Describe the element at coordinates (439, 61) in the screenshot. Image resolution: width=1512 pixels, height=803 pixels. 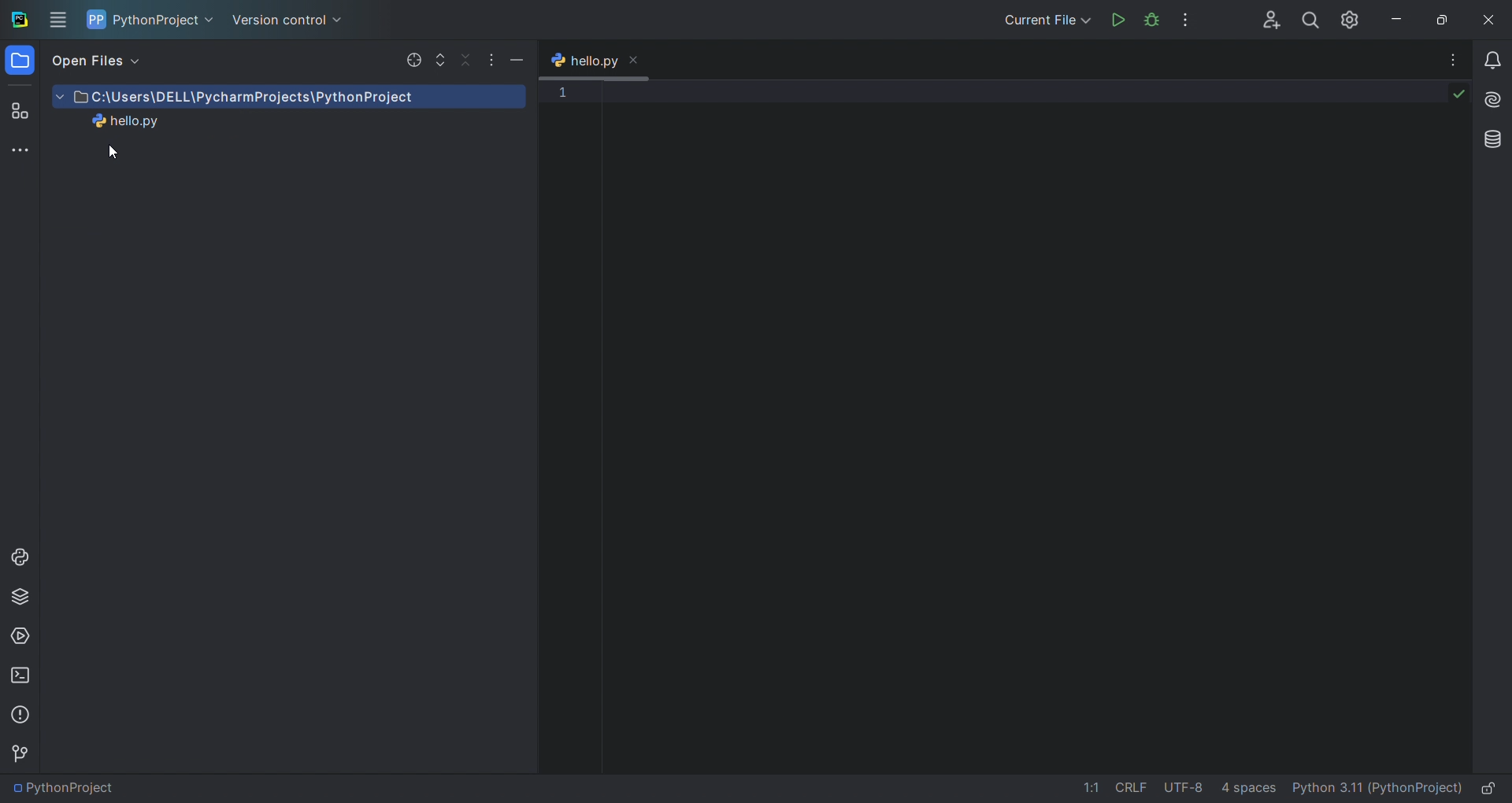
I see `expand` at that location.